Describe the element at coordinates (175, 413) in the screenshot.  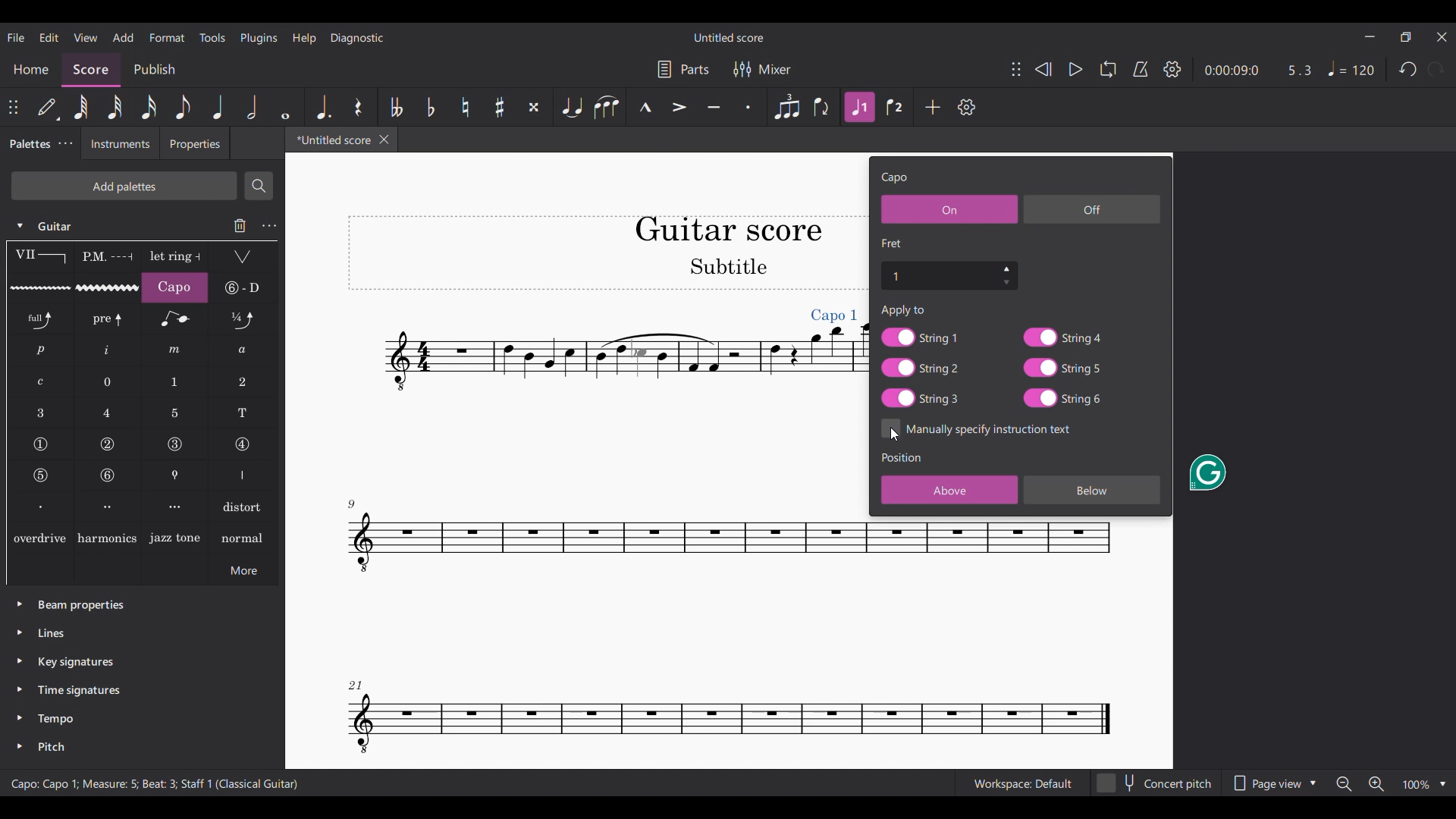
I see `LH guitar fingering 5` at that location.